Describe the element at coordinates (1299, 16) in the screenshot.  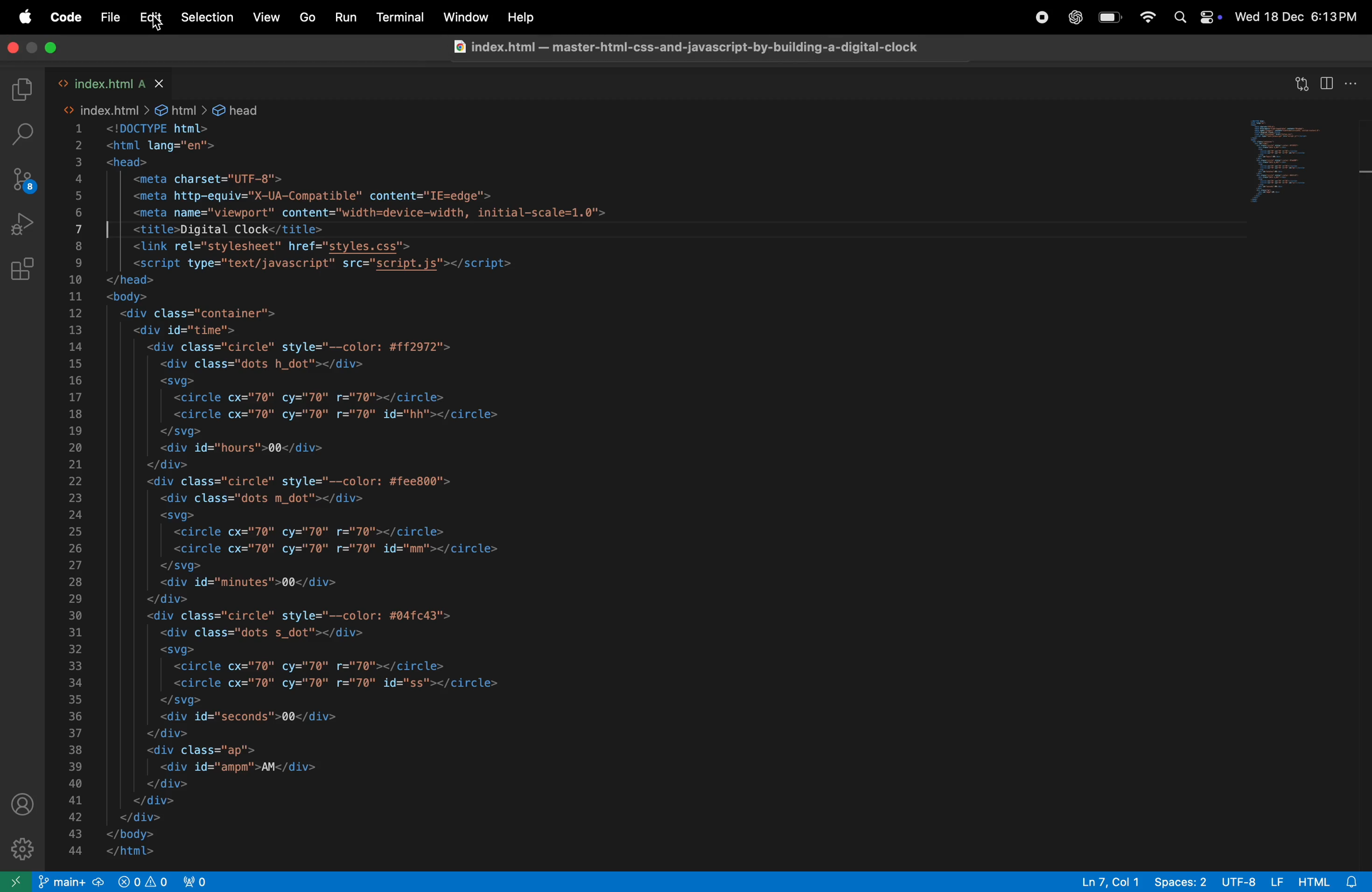
I see `date and time` at that location.